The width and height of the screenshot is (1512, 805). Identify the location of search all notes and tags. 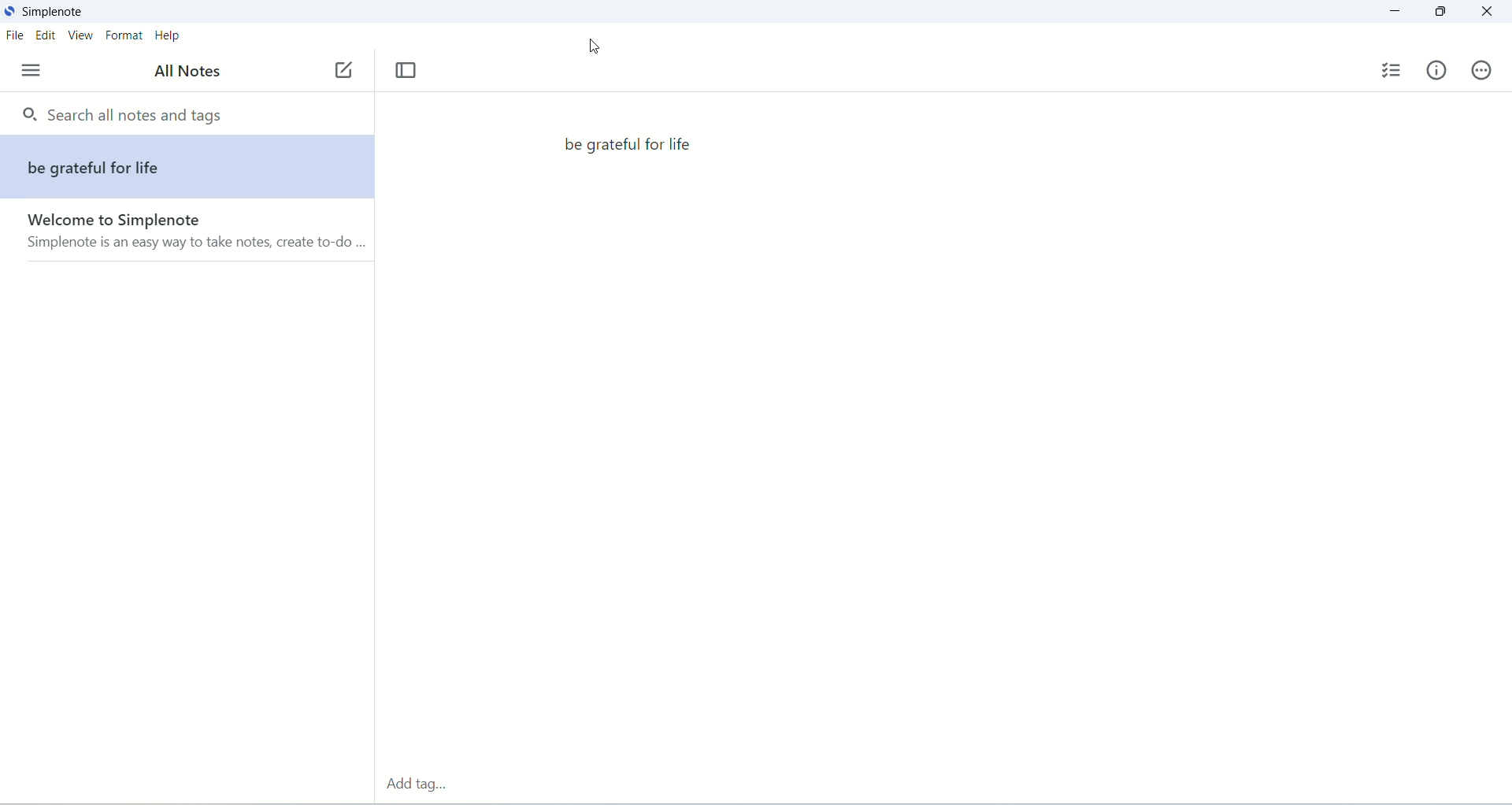
(127, 116).